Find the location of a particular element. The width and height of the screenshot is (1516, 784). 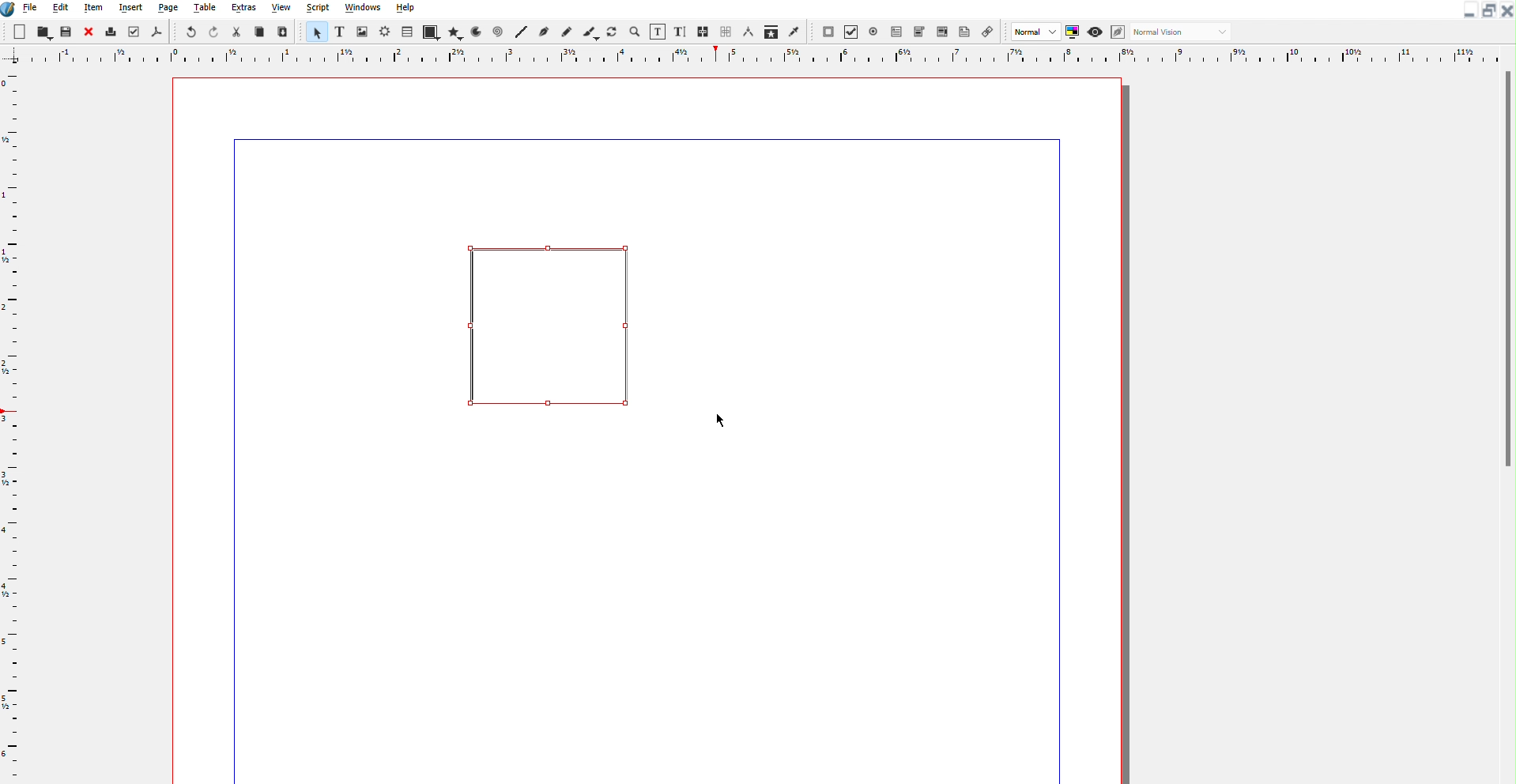

Spiral is located at coordinates (498, 32).